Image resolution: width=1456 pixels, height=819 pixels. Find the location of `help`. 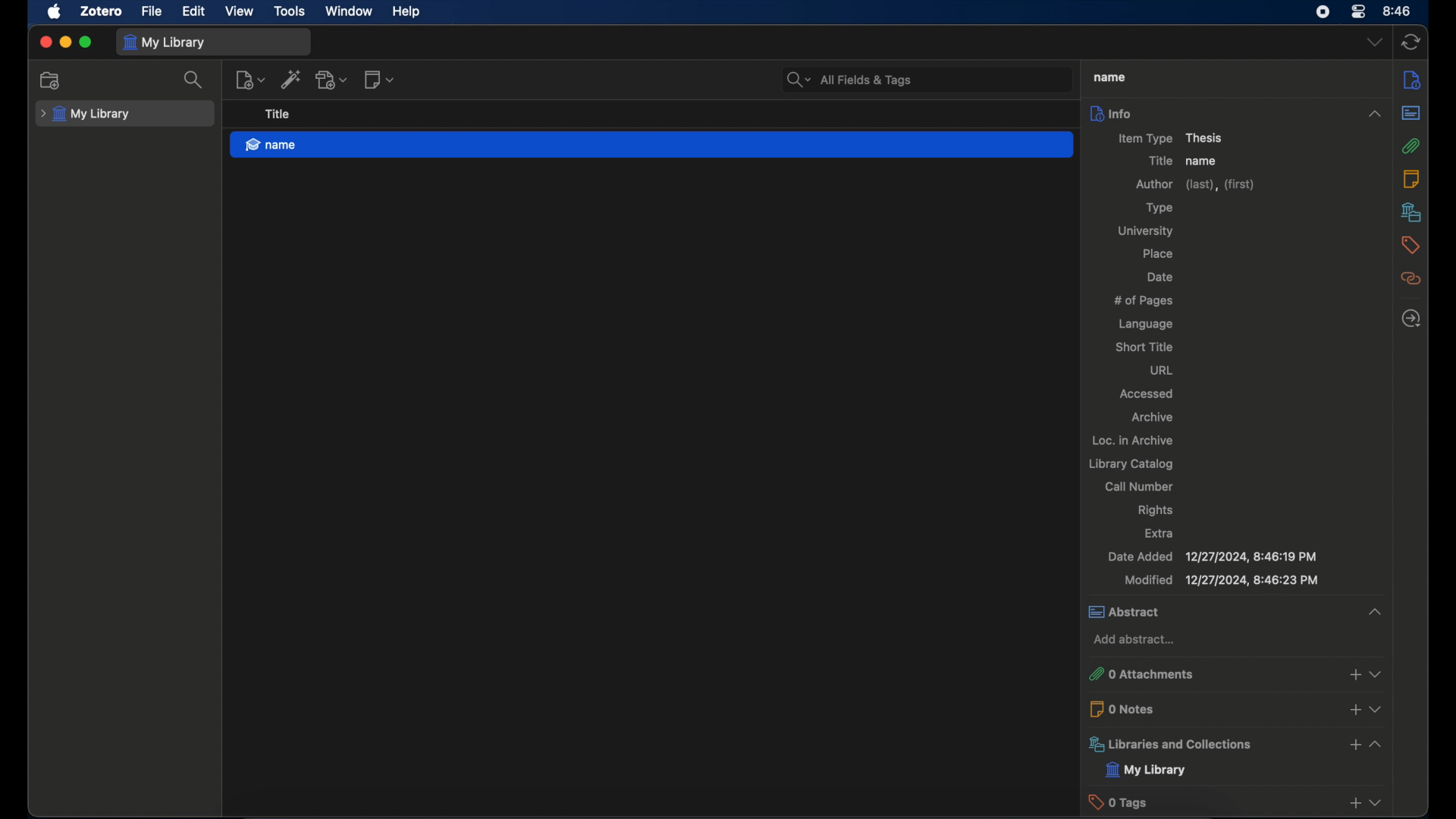

help is located at coordinates (406, 12).